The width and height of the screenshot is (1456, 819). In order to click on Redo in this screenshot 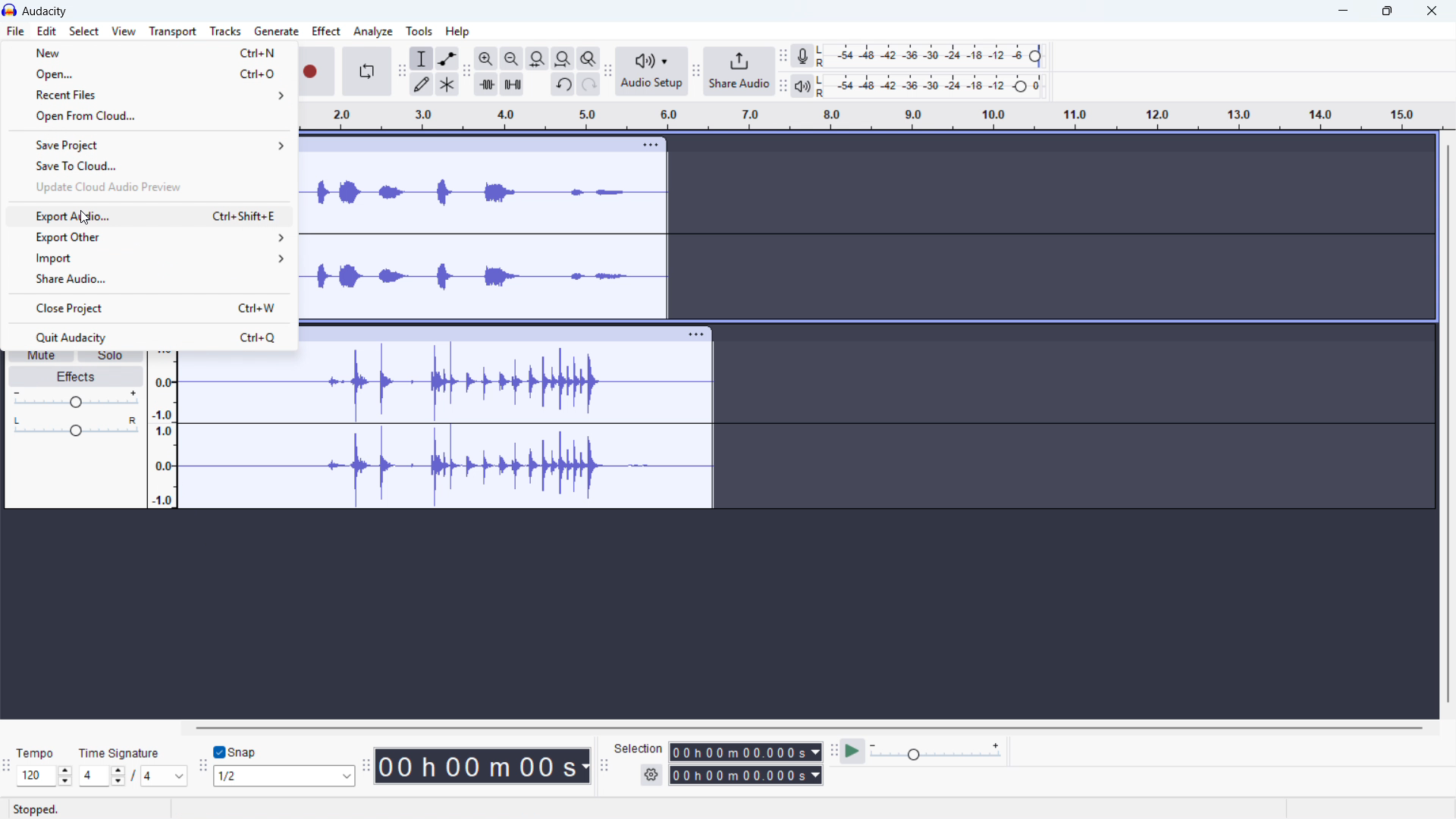, I will do `click(589, 84)`.